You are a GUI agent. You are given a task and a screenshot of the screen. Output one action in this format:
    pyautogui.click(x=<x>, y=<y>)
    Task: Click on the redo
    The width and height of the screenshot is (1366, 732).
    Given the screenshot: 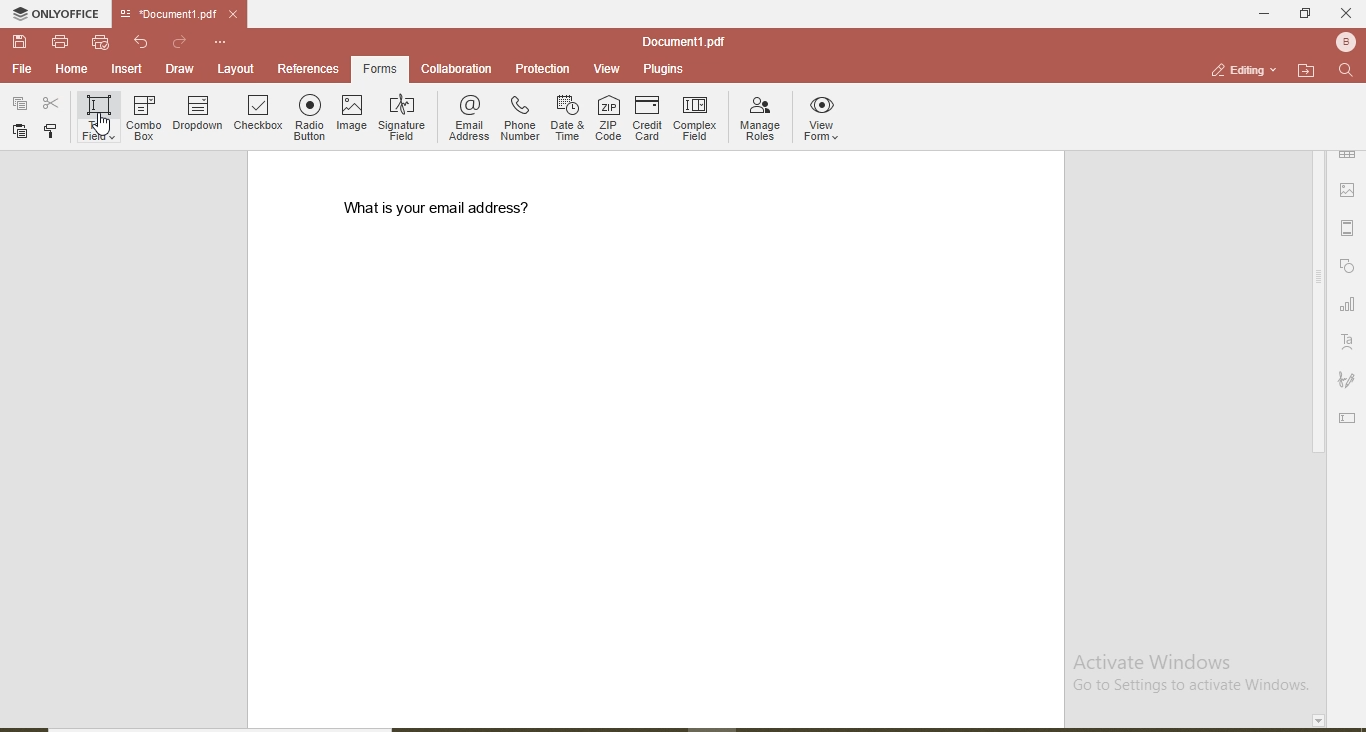 What is the action you would take?
    pyautogui.click(x=181, y=41)
    